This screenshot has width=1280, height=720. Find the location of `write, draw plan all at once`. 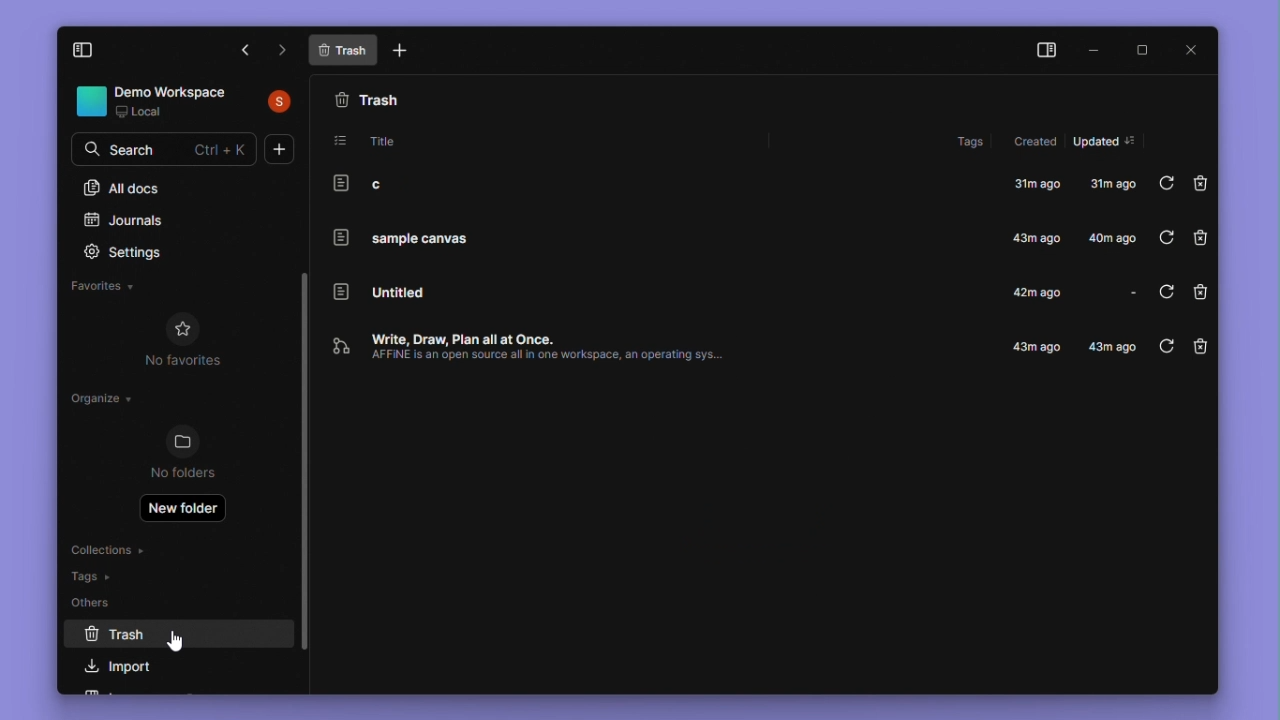

write, draw plan all at once is located at coordinates (564, 346).